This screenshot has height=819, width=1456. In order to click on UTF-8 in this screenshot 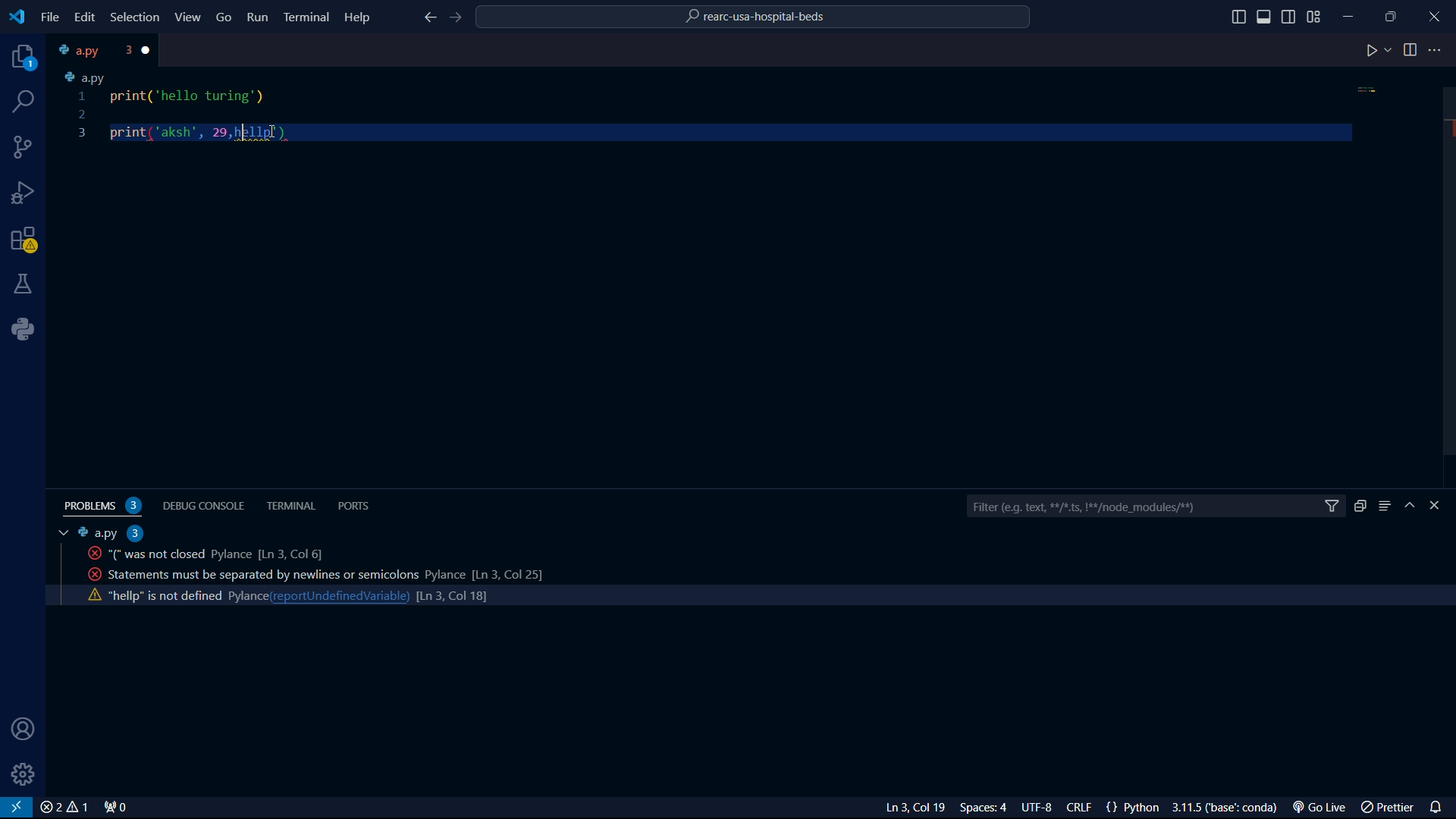, I will do `click(1043, 808)`.